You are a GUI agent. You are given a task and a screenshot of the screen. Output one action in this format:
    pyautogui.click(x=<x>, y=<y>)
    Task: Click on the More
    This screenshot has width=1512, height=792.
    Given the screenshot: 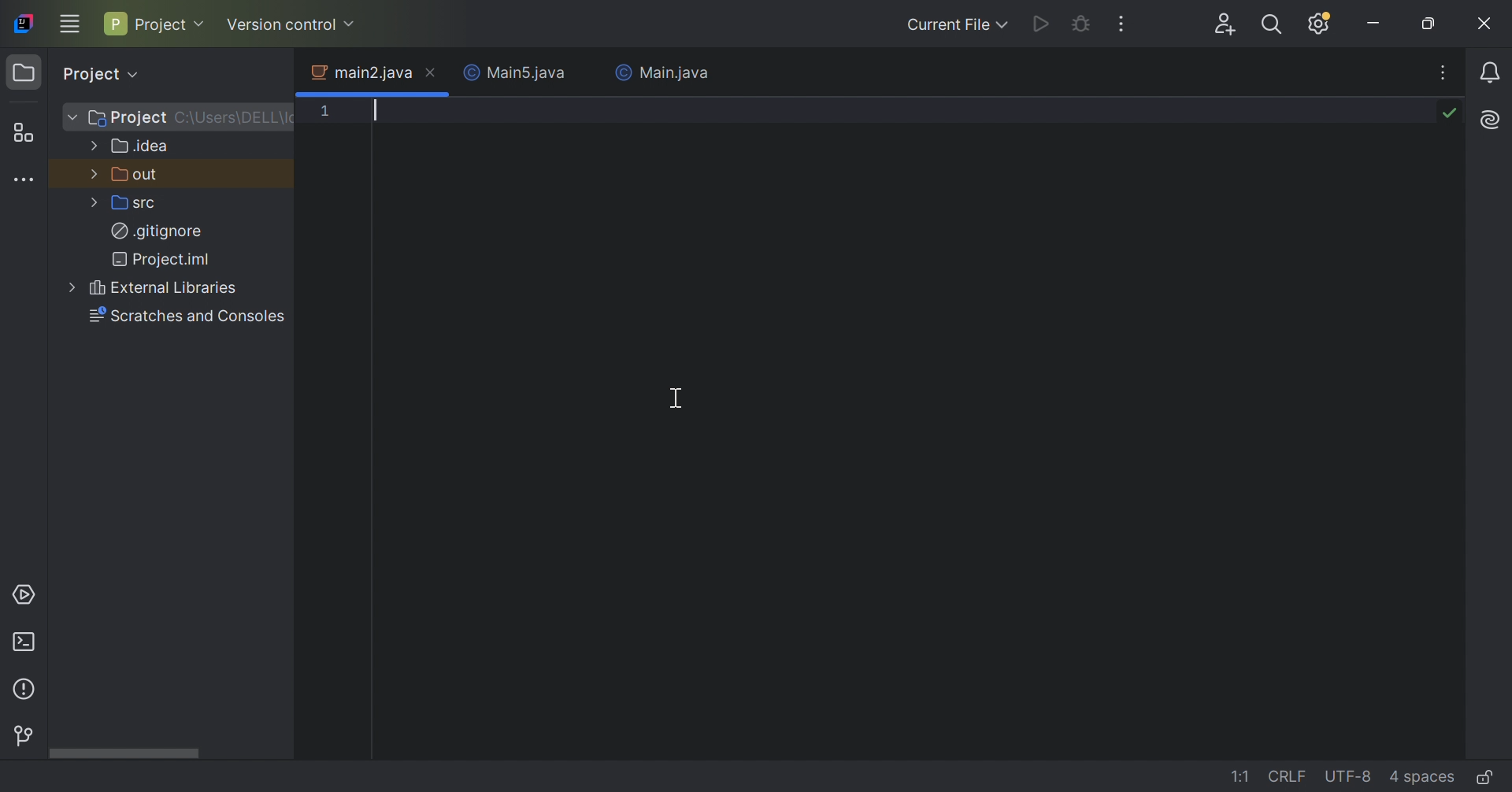 What is the action you would take?
    pyautogui.click(x=91, y=145)
    